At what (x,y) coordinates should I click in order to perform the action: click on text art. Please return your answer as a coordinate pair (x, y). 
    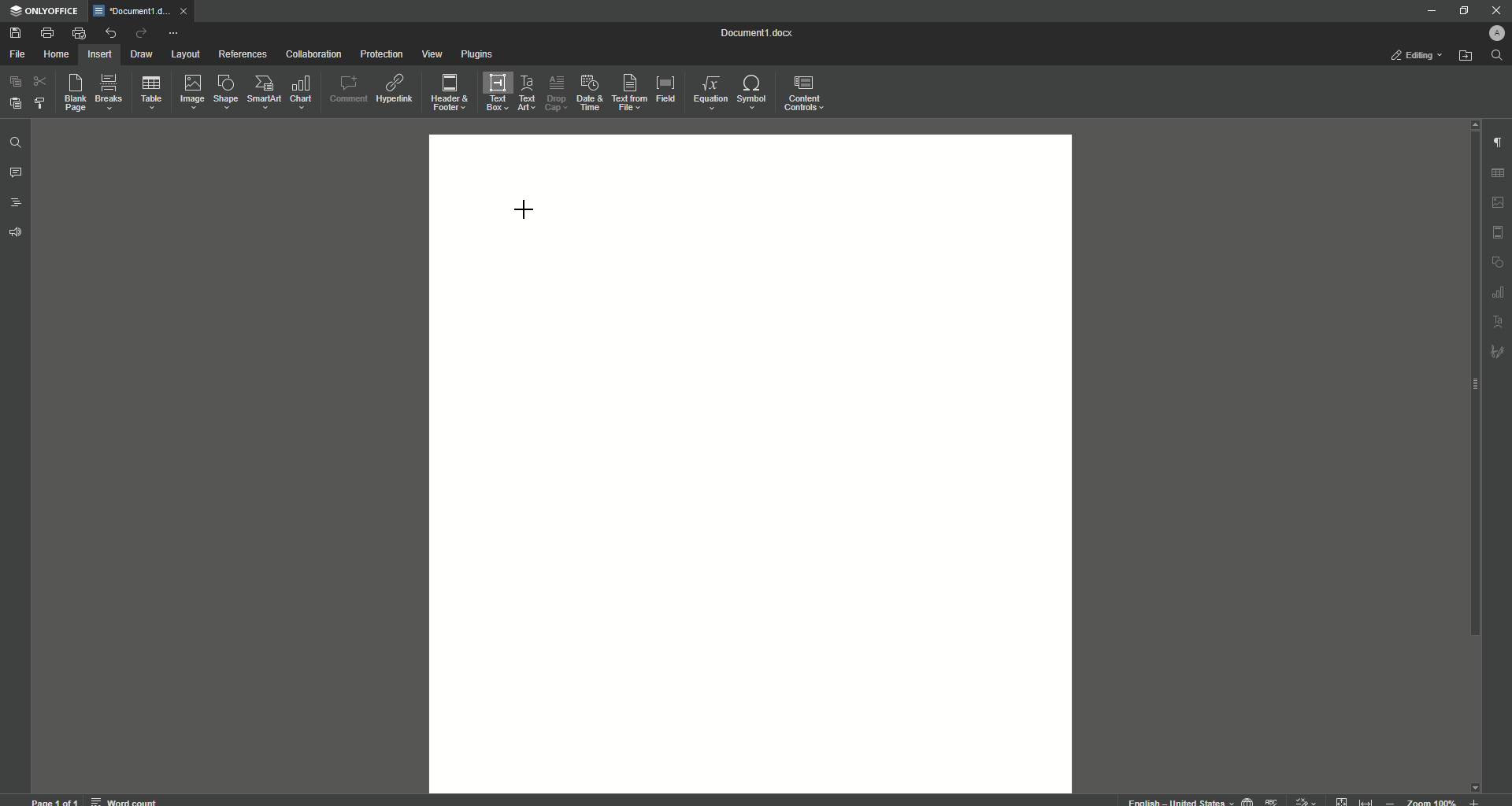
    Looking at the image, I should click on (1499, 323).